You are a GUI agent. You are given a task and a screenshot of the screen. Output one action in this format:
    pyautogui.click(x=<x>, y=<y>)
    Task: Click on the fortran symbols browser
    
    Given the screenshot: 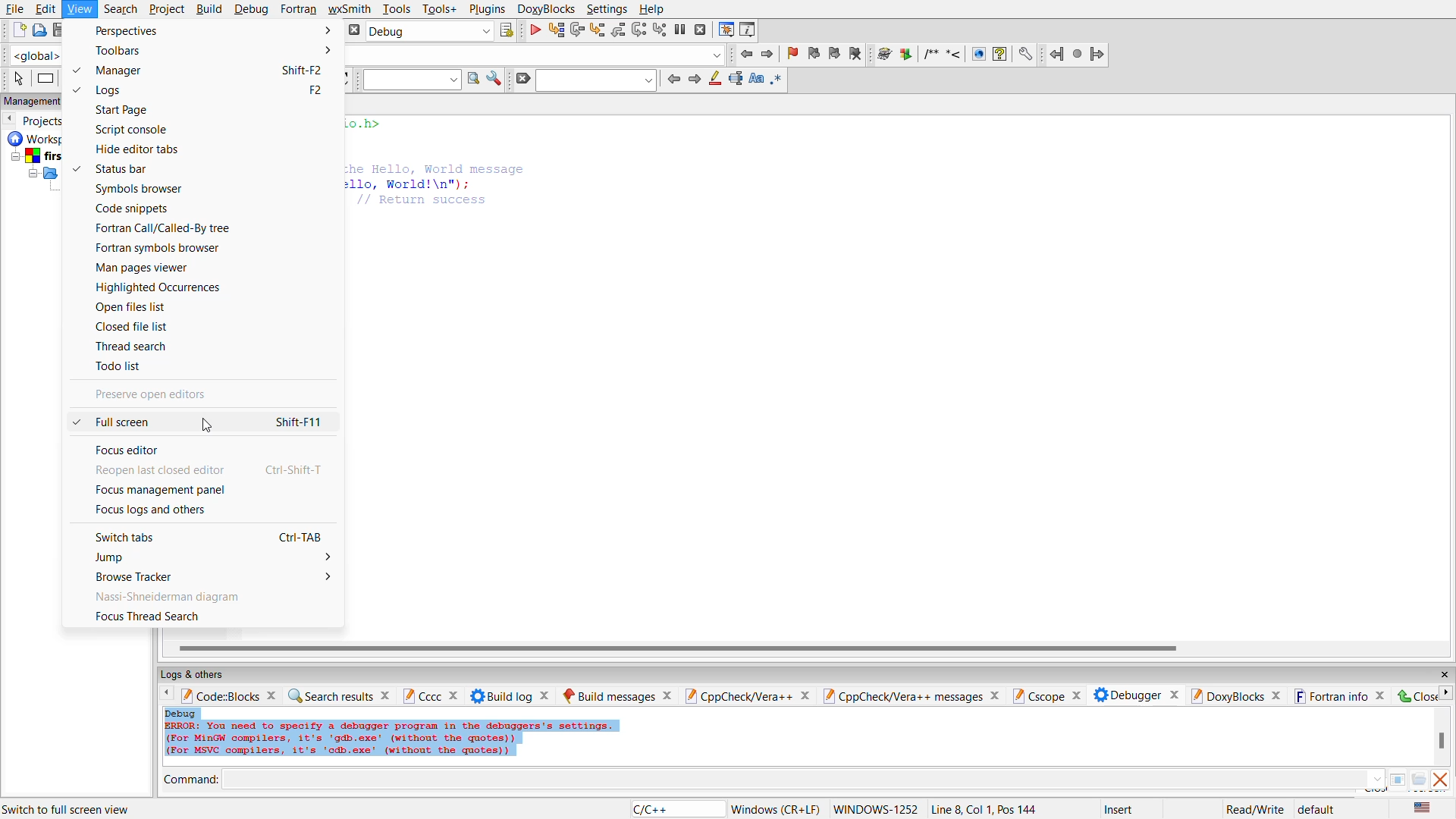 What is the action you would take?
    pyautogui.click(x=163, y=249)
    